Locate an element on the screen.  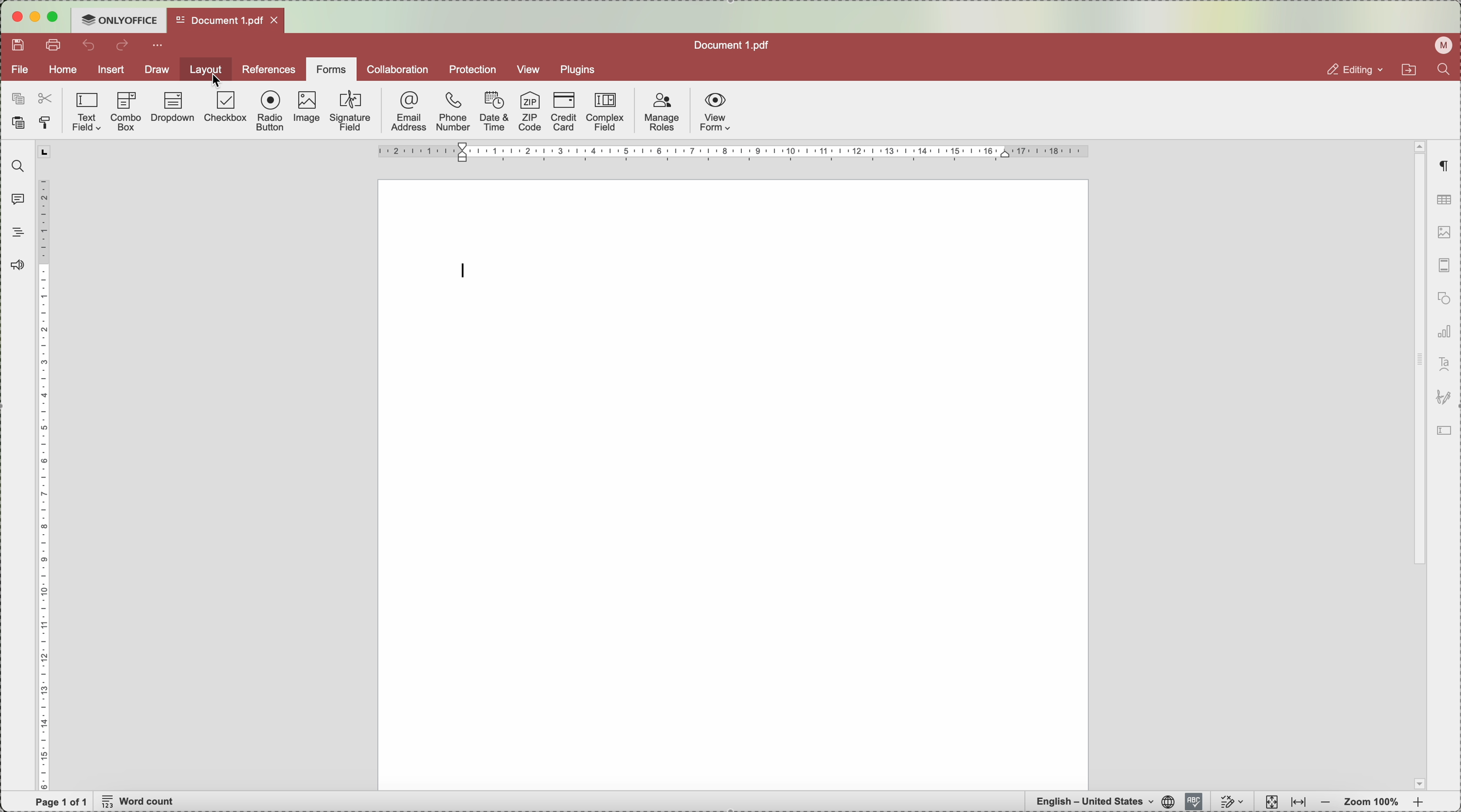
combo box is located at coordinates (128, 113).